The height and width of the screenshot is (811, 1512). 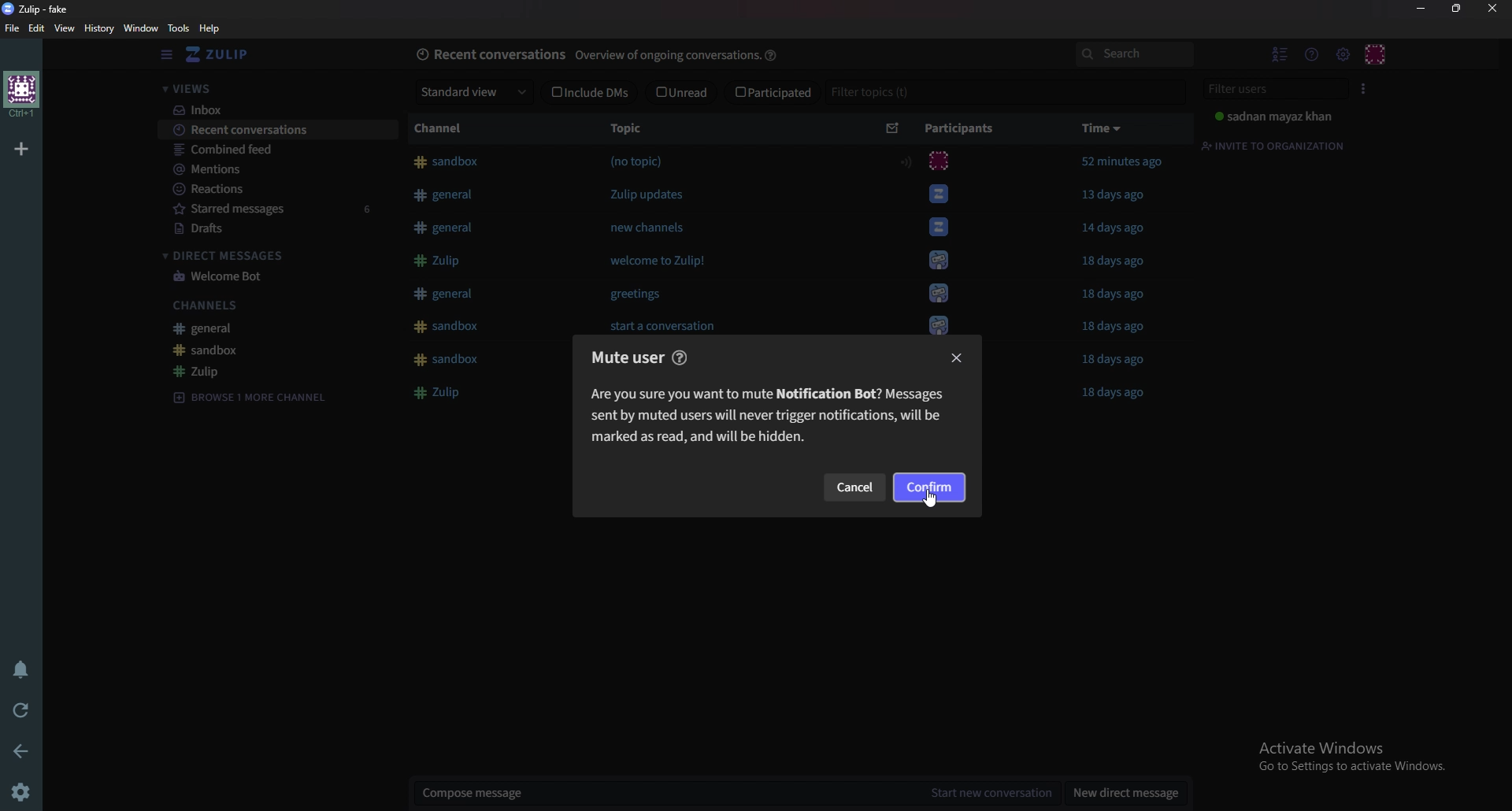 What do you see at coordinates (651, 227) in the screenshot?
I see `new channels` at bounding box center [651, 227].